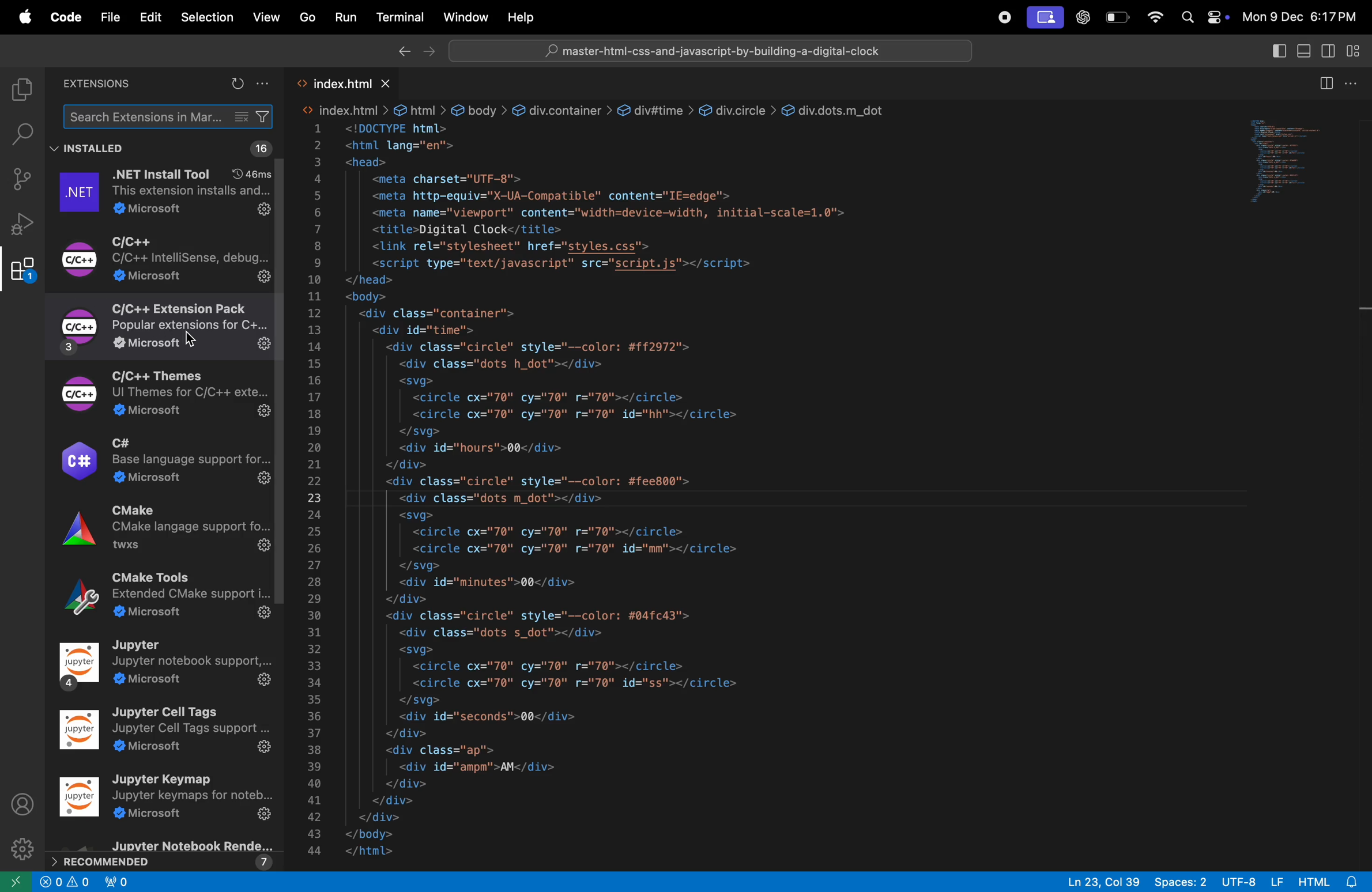 This screenshot has width=1372, height=892. Describe the element at coordinates (1355, 81) in the screenshot. I see `more actions` at that location.